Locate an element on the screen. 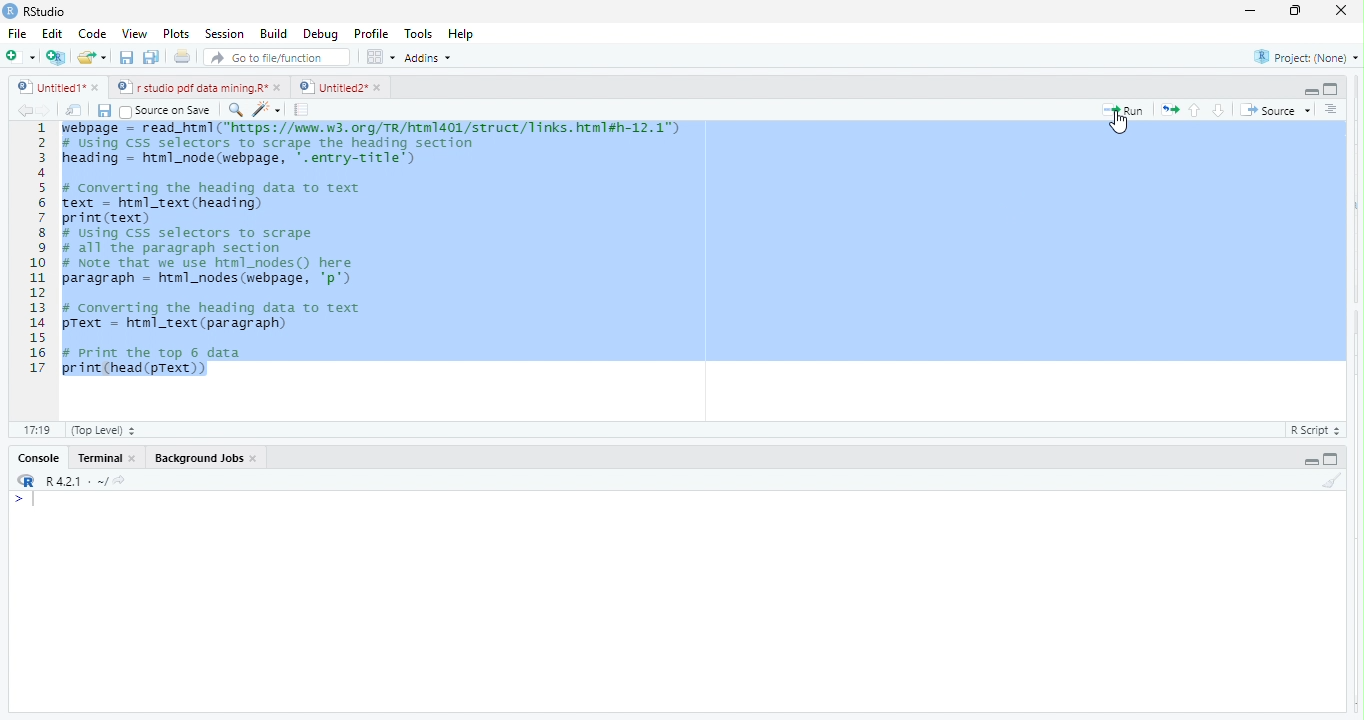  terminal is located at coordinates (102, 458).